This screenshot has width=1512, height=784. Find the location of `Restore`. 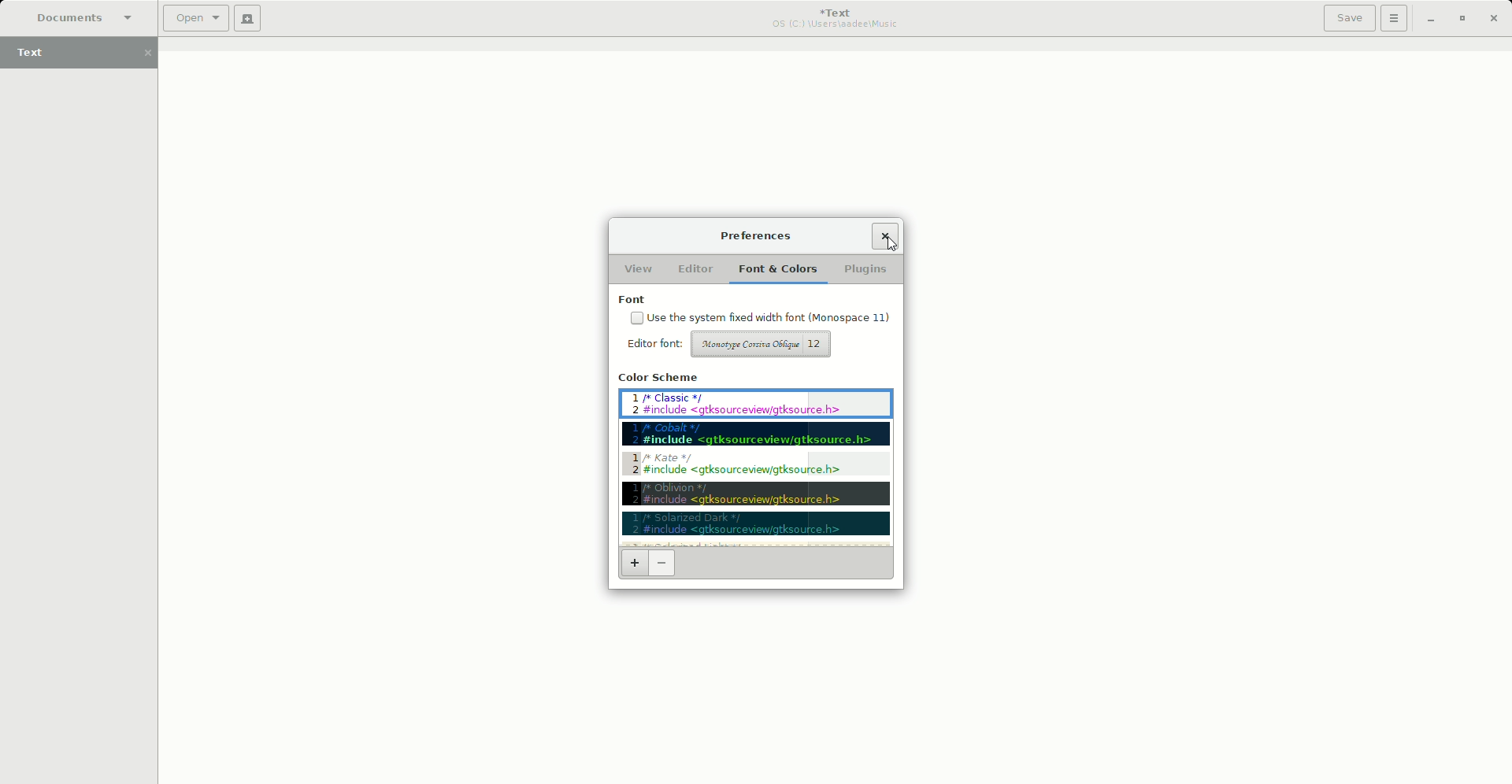

Restore is located at coordinates (1461, 18).